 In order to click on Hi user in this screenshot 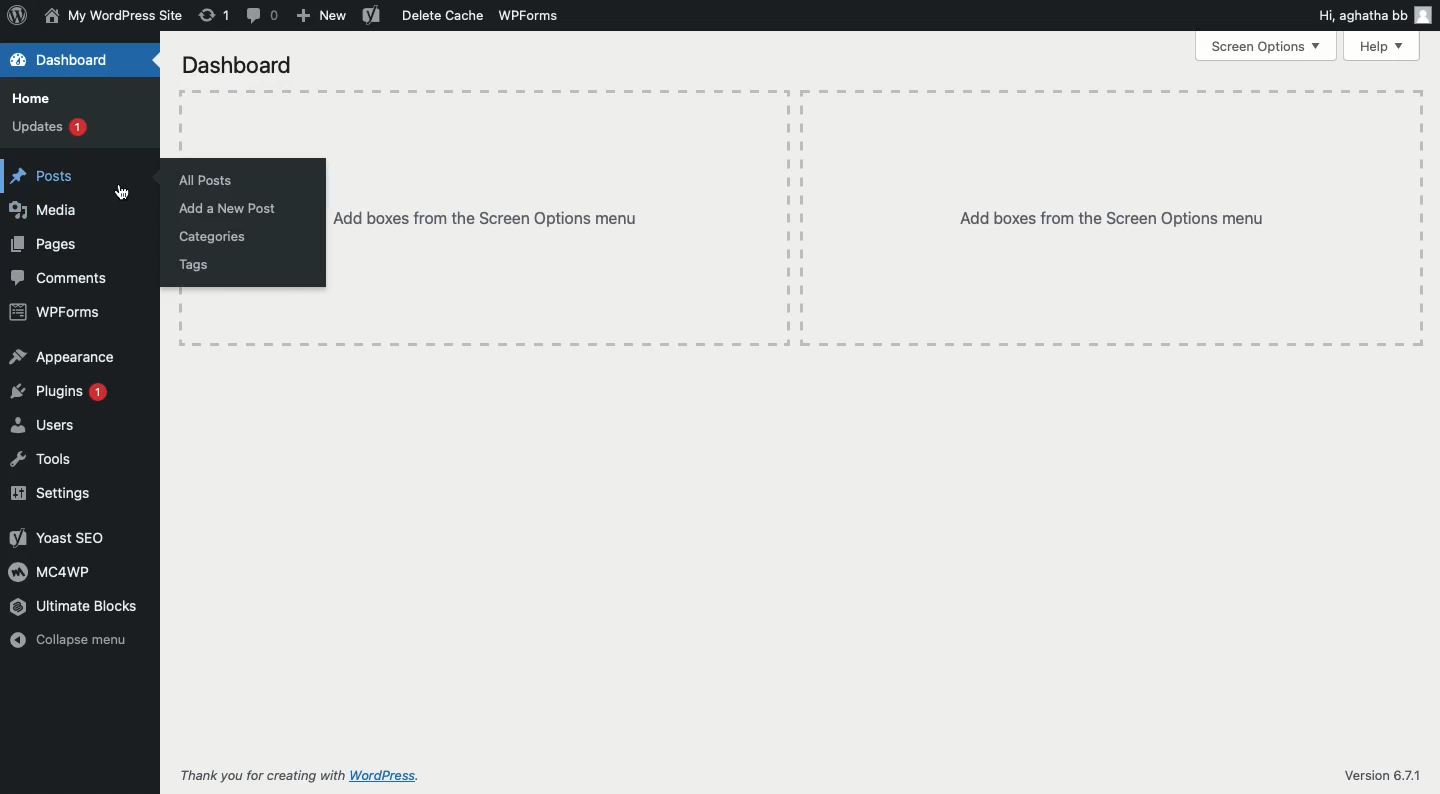, I will do `click(1375, 16)`.